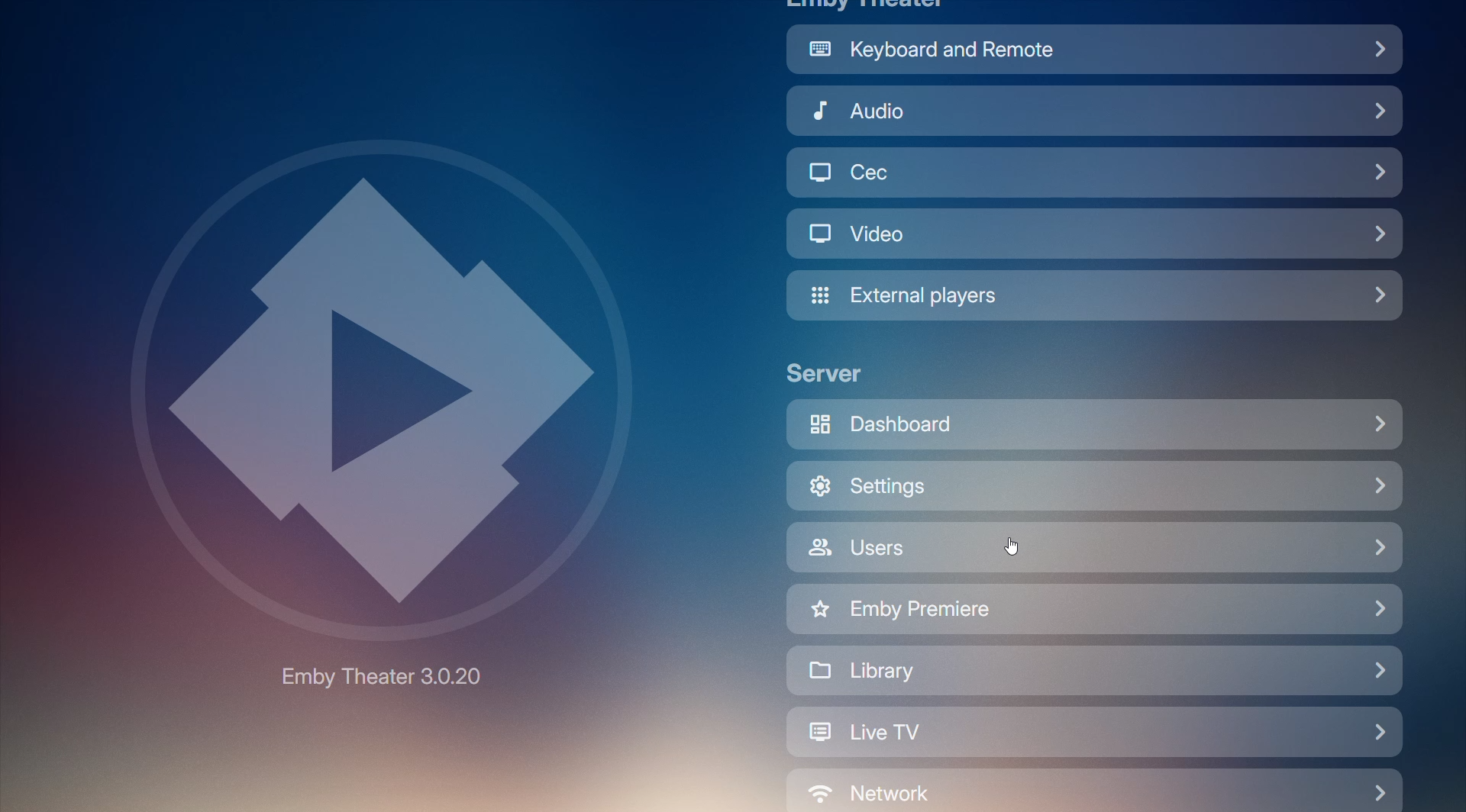  Describe the element at coordinates (1093, 424) in the screenshot. I see `Dashboard` at that location.